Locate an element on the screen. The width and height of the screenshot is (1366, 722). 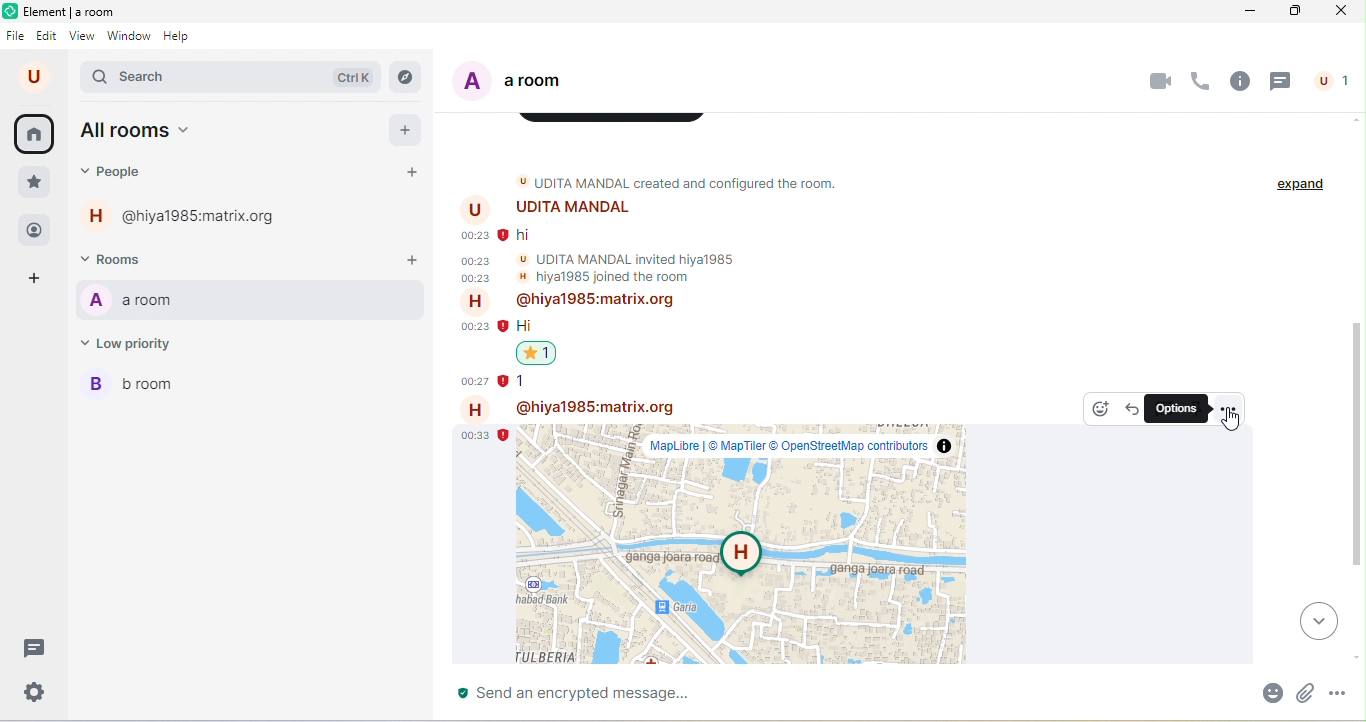
title is located at coordinates (59, 12).